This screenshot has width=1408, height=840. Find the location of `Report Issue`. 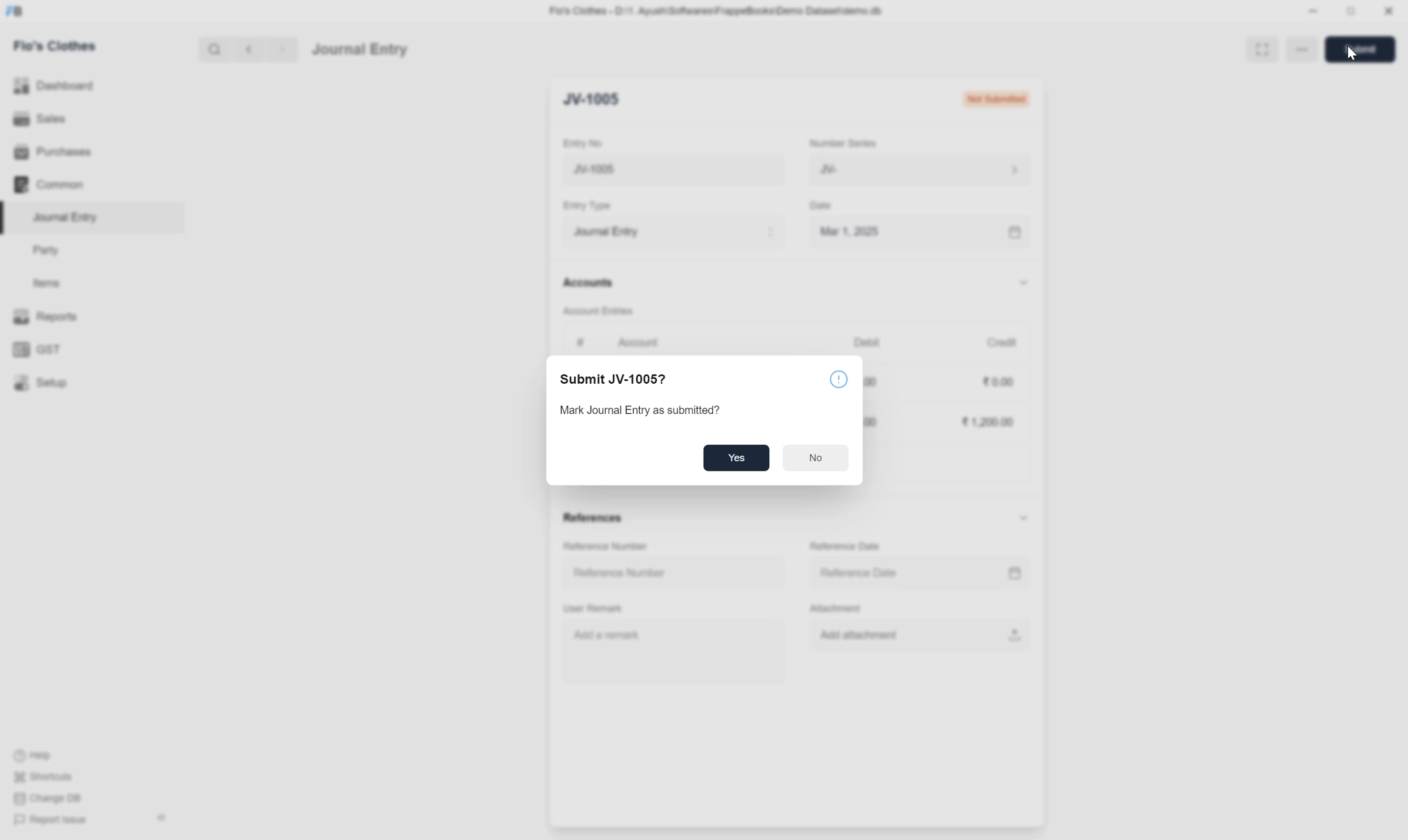

Report Issue is located at coordinates (55, 821).